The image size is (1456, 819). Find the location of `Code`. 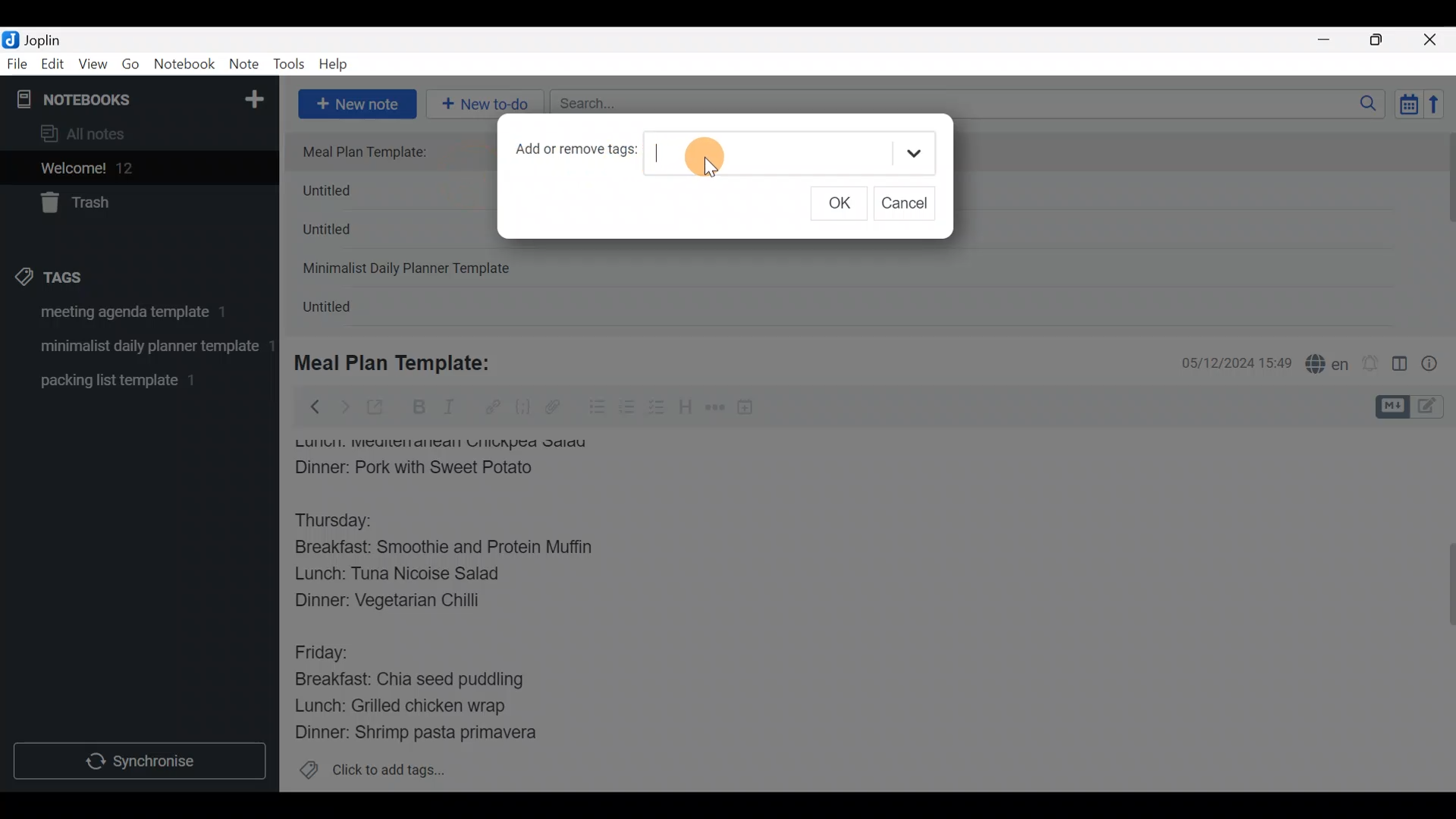

Code is located at coordinates (521, 406).